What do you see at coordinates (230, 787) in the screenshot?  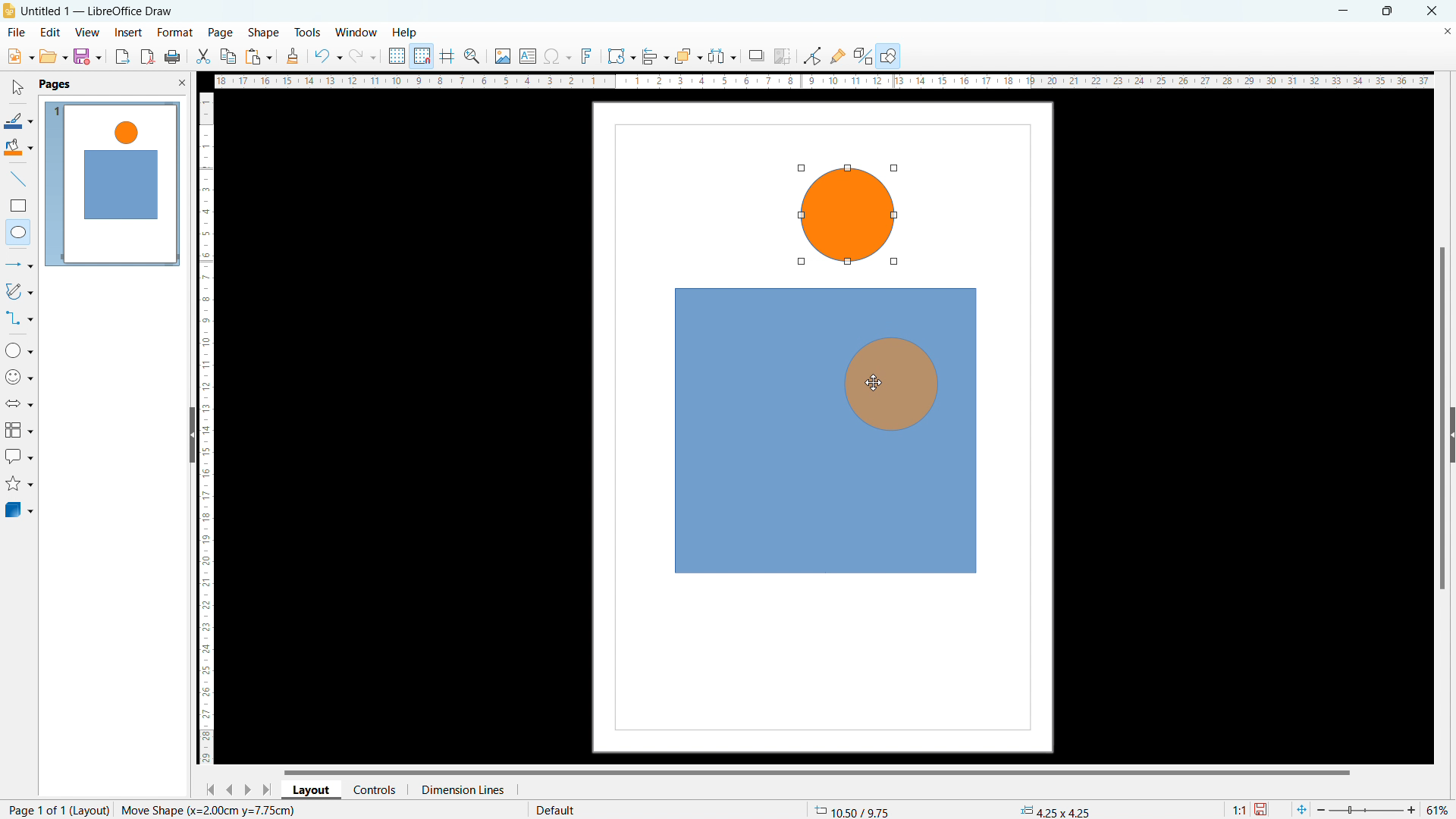 I see `go to previous page` at bounding box center [230, 787].